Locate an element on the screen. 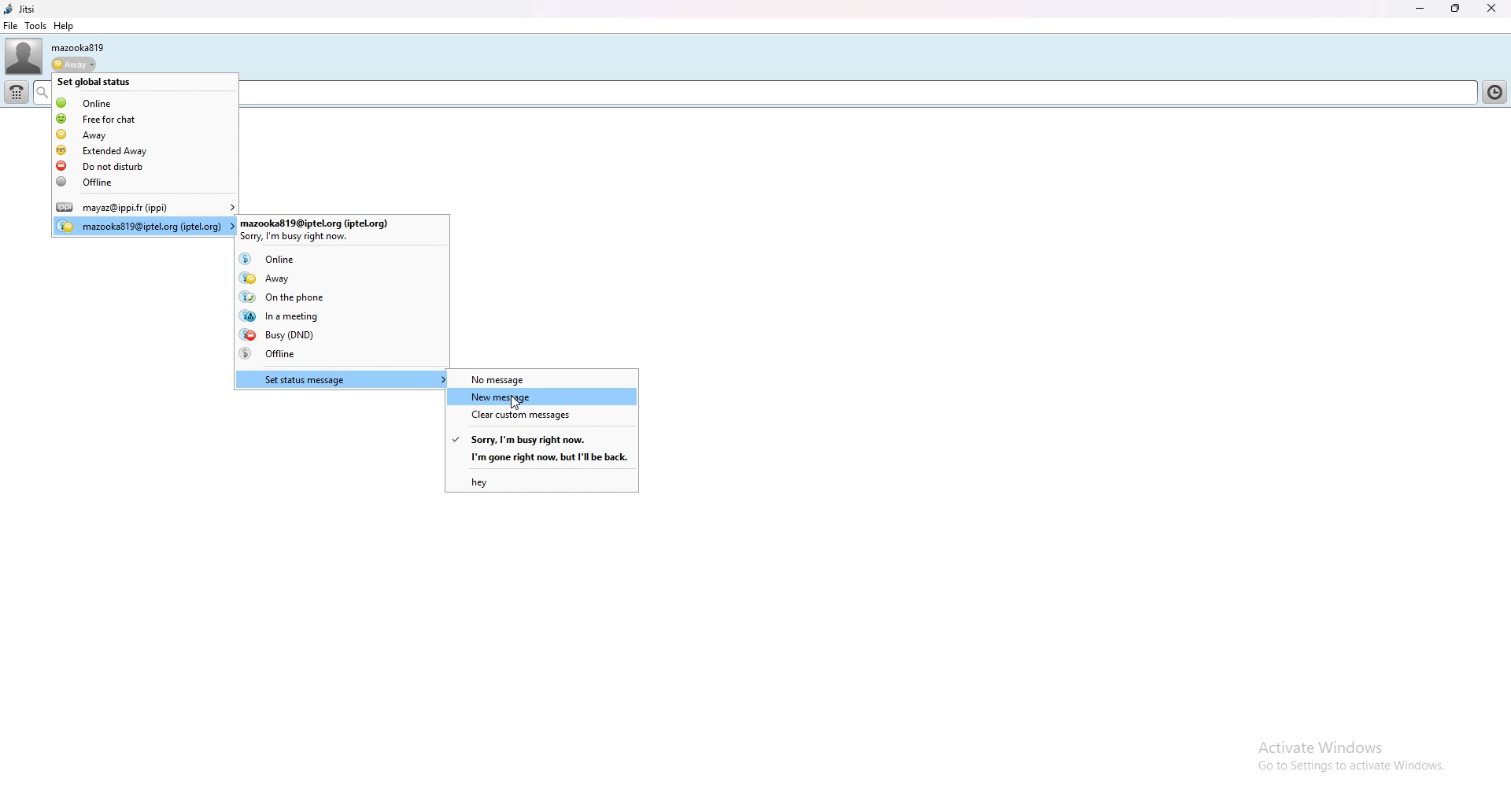 Image resolution: width=1511 pixels, height=812 pixels. busy is located at coordinates (341, 335).